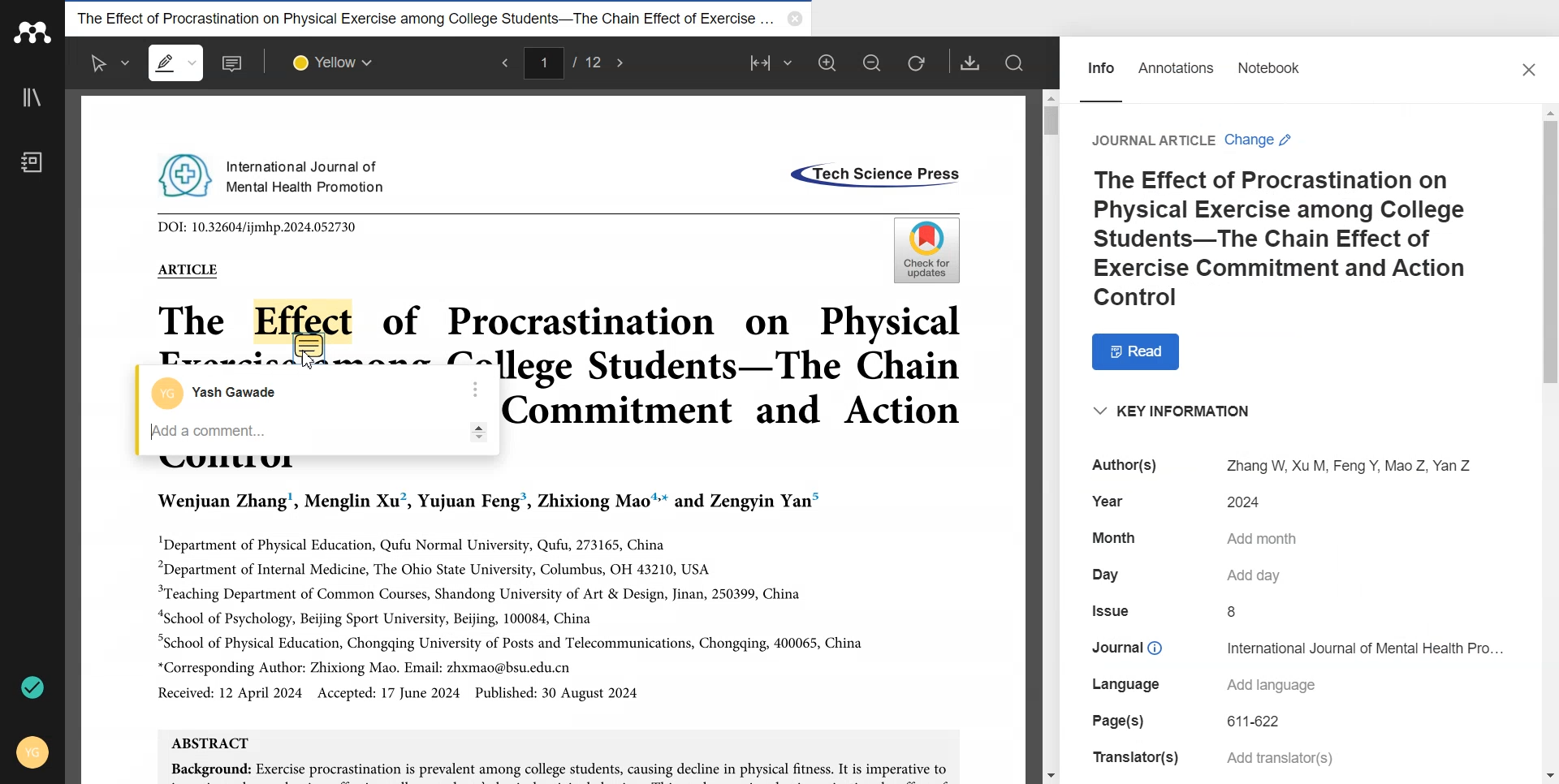 This screenshot has width=1559, height=784. Describe the element at coordinates (1212, 758) in the screenshot. I see `Translator(s) Add translator(s)` at that location.